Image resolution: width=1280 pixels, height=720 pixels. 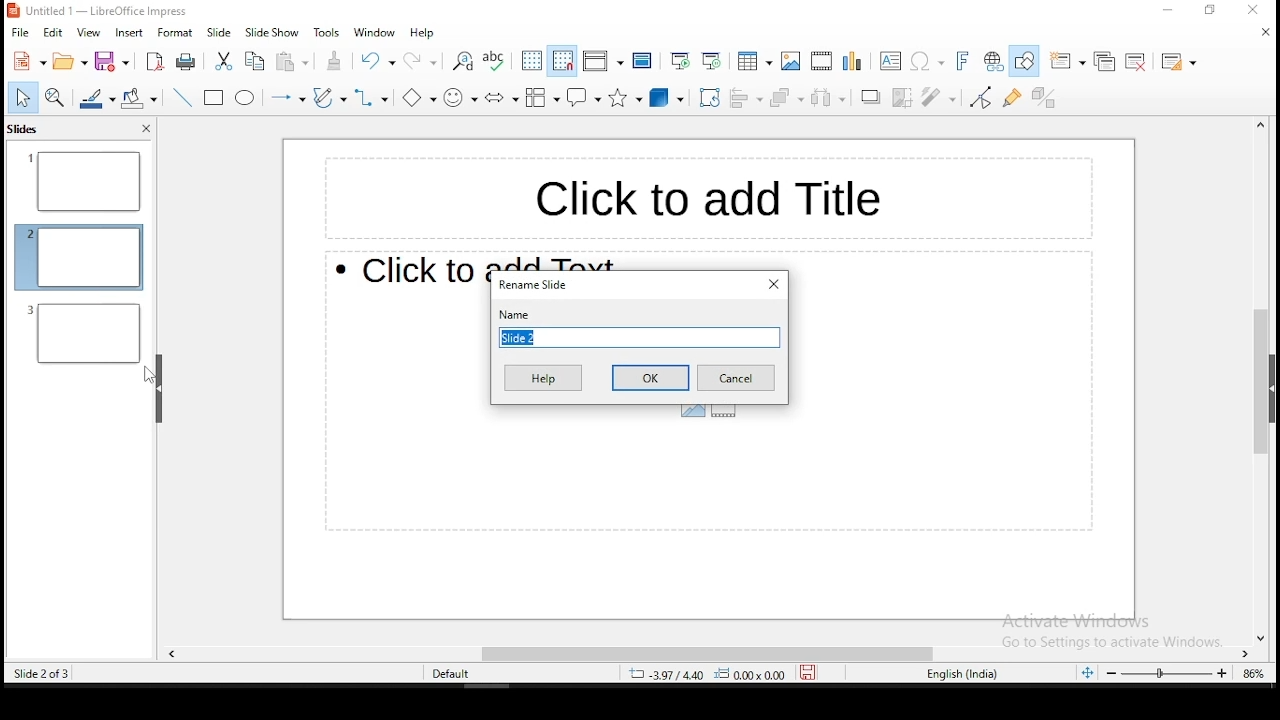 I want to click on english (india), so click(x=963, y=674).